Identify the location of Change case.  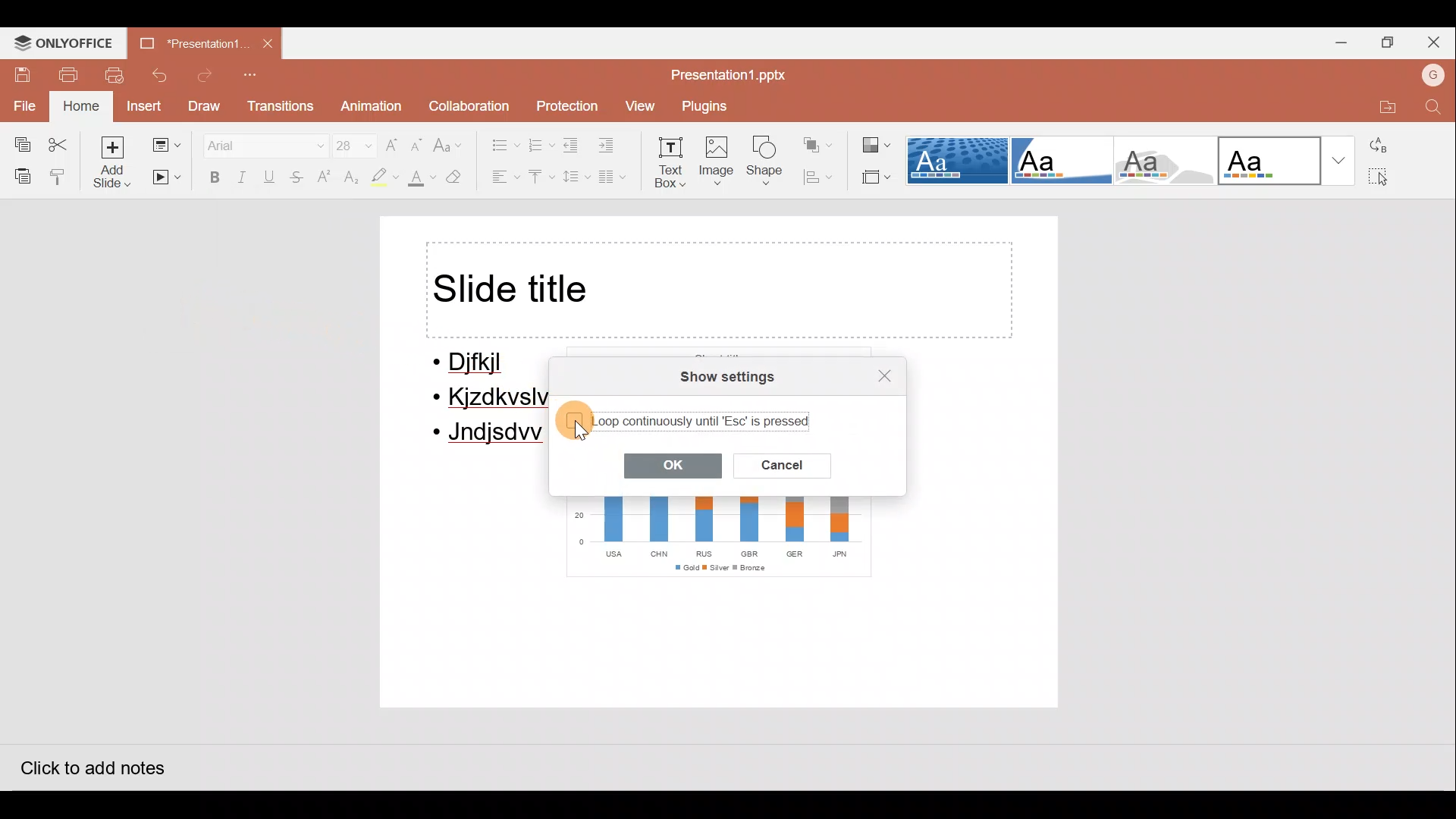
(450, 142).